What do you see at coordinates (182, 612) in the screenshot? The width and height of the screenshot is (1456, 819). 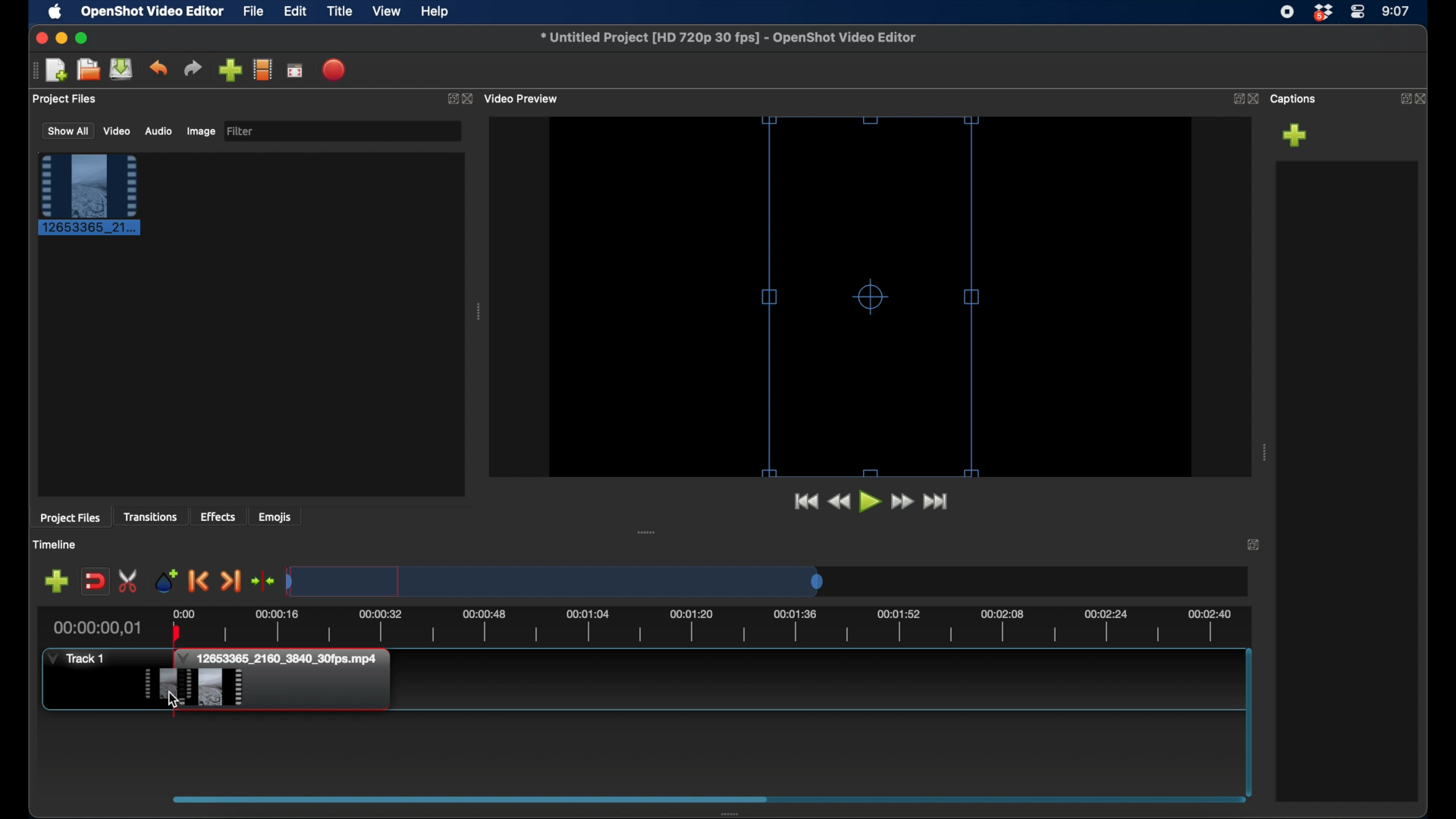 I see `0.00` at bounding box center [182, 612].